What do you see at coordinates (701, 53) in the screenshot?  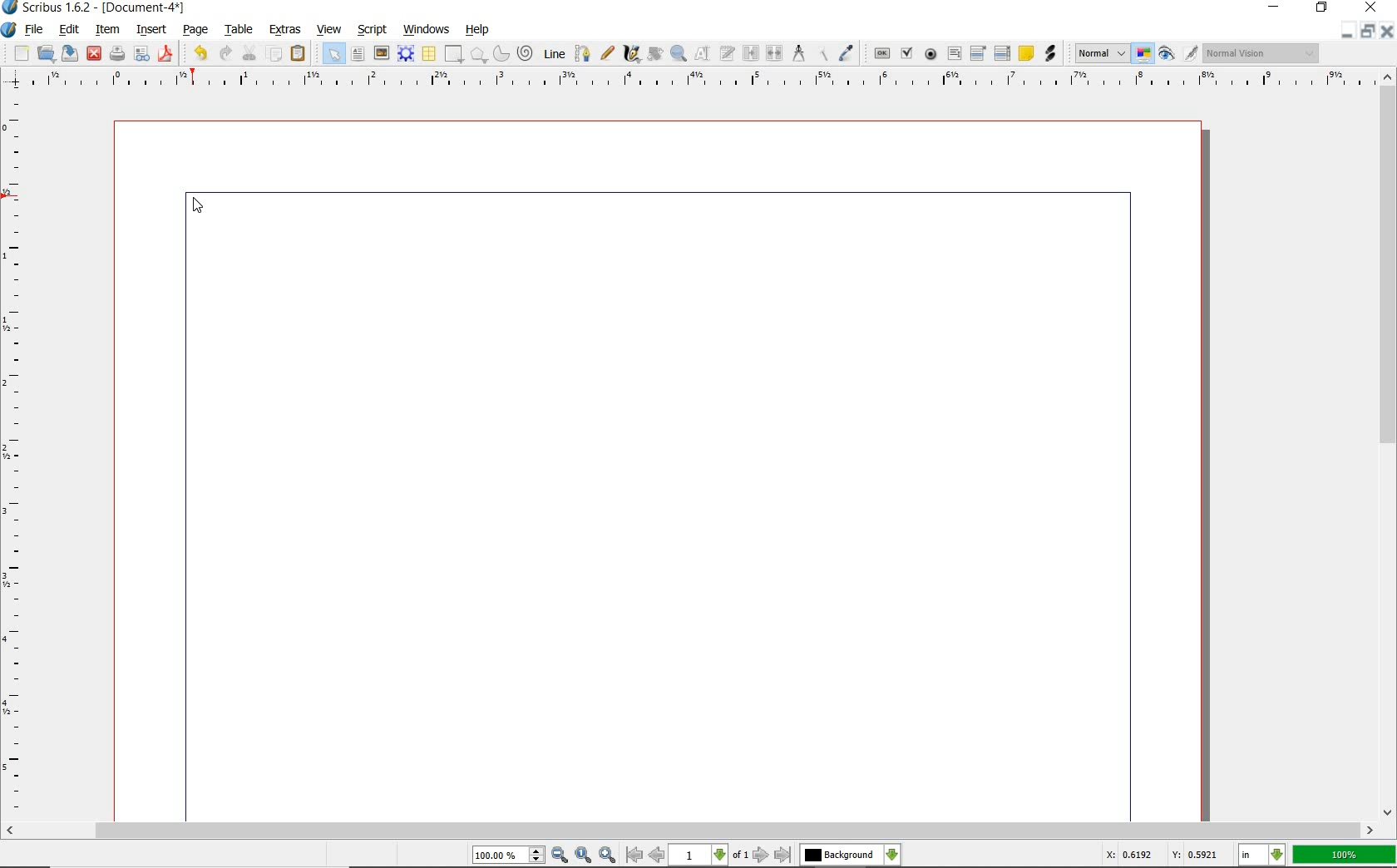 I see `edit contents of frame` at bounding box center [701, 53].